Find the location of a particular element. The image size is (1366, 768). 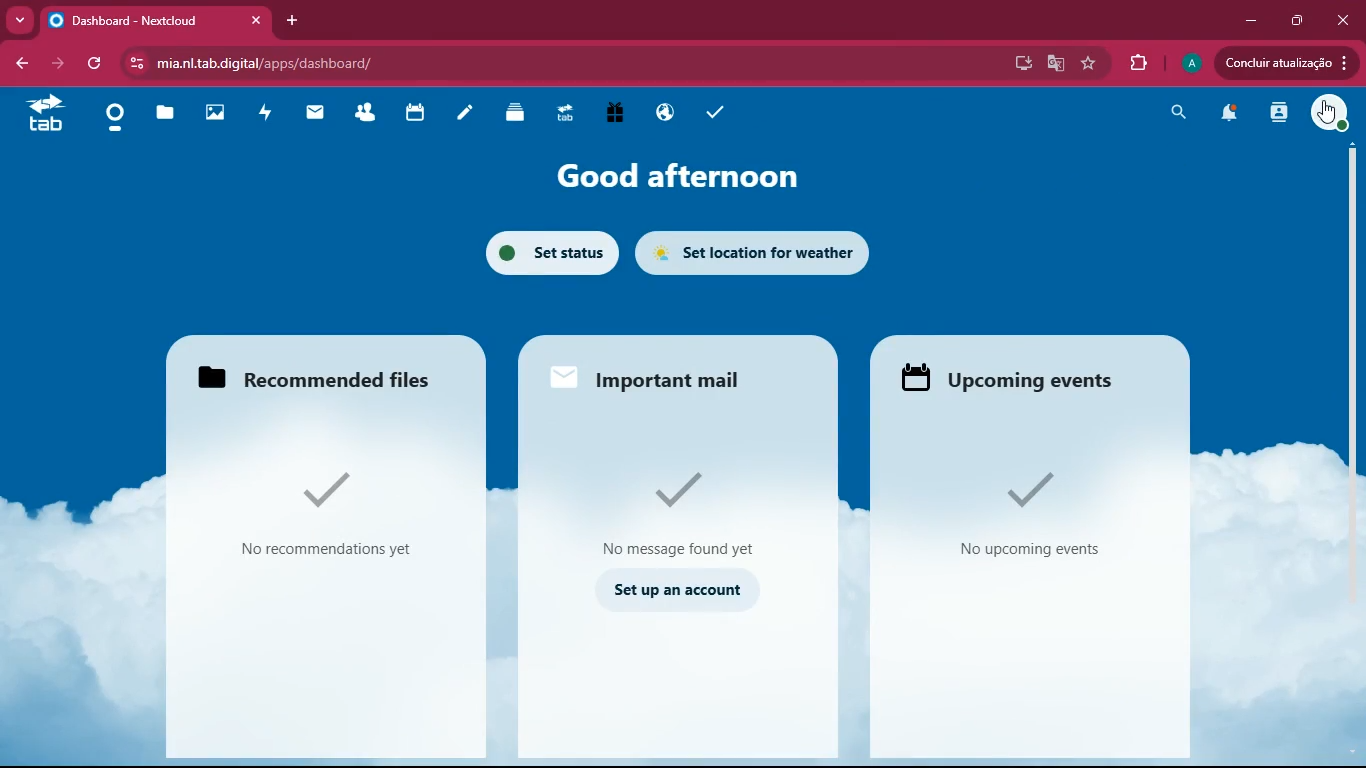

desktop is located at coordinates (1020, 65).